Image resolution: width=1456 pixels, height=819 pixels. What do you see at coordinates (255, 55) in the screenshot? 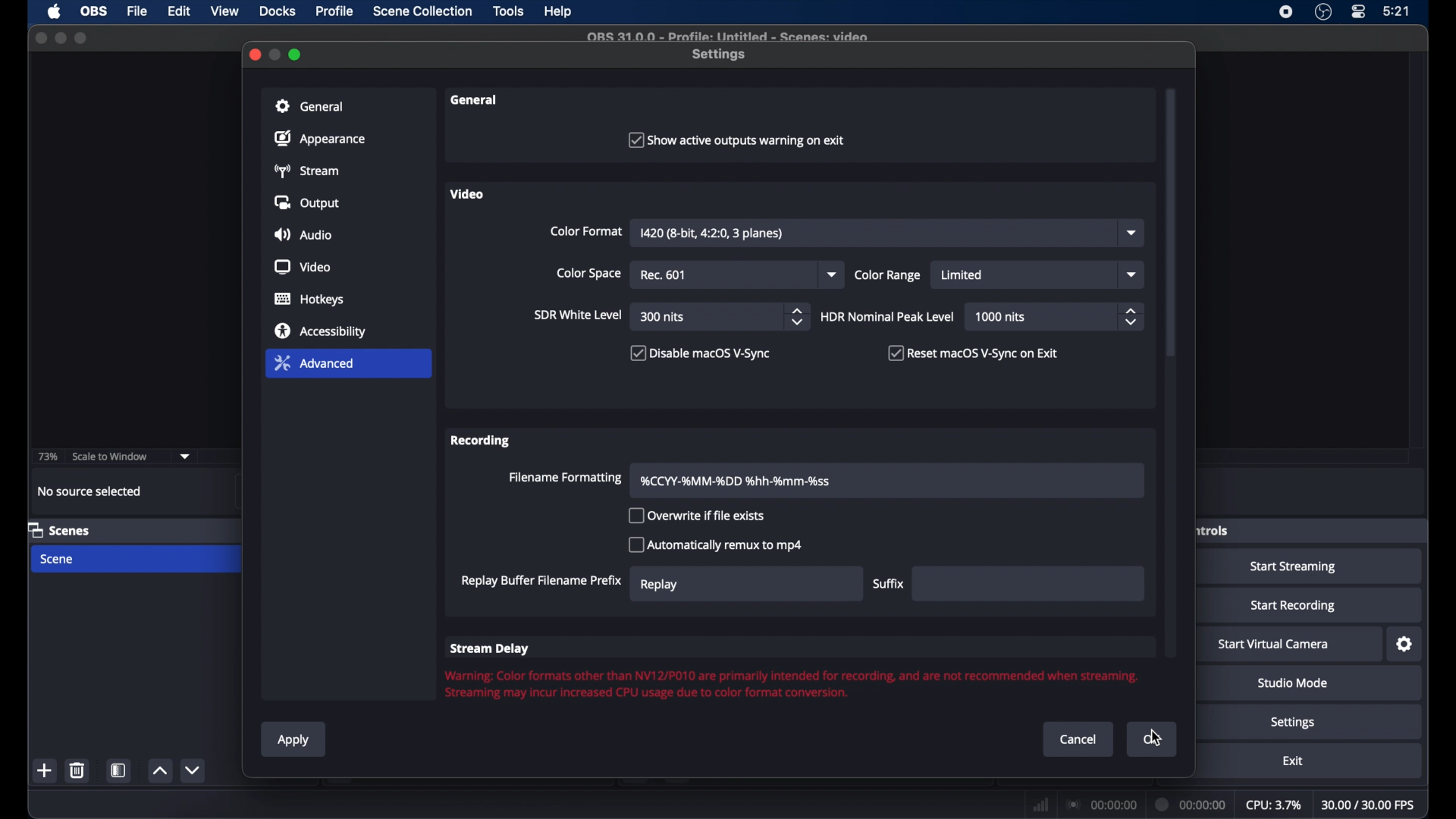
I see `close` at bounding box center [255, 55].